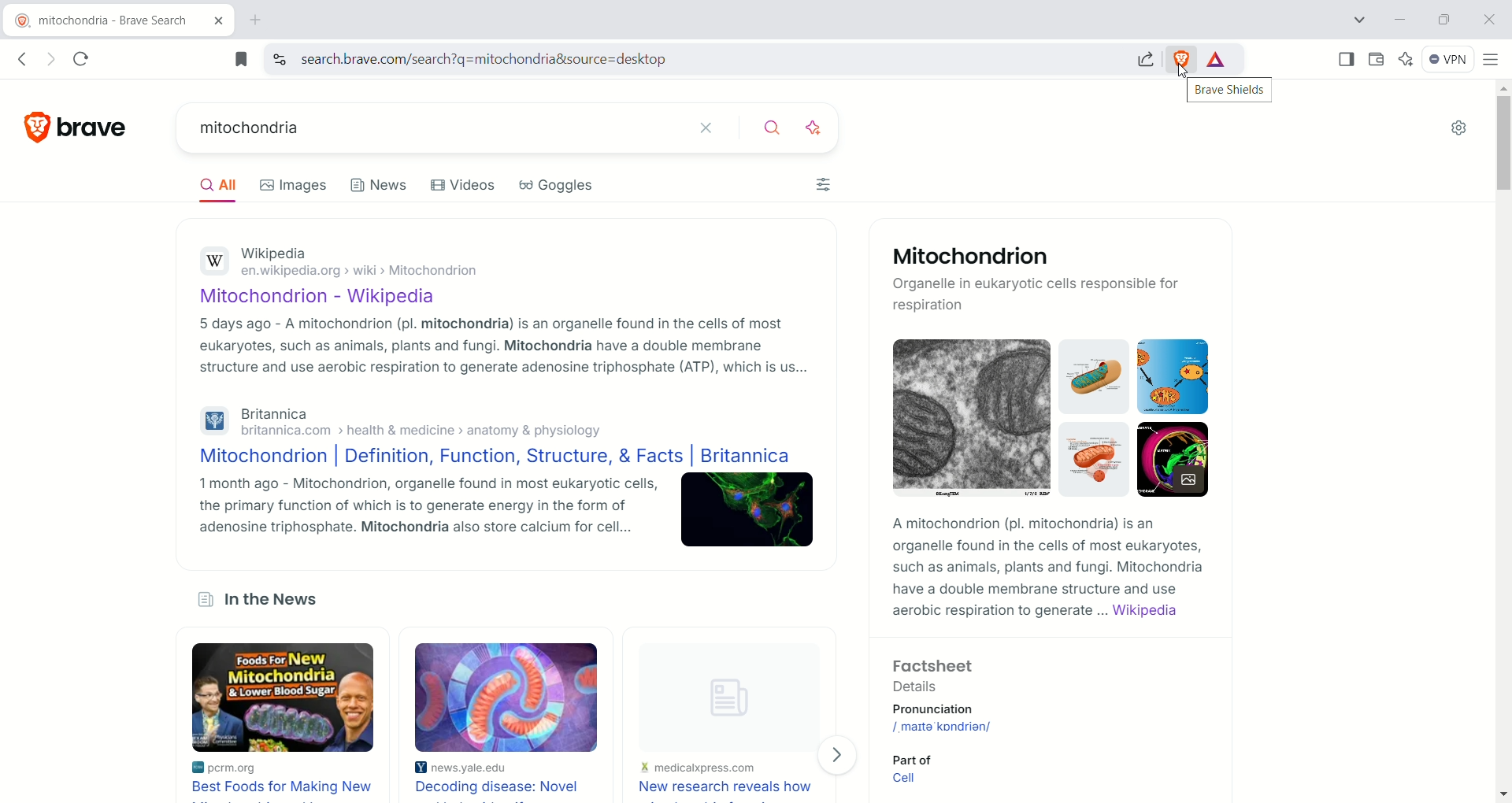  Describe the element at coordinates (254, 21) in the screenshot. I see `new tab` at that location.